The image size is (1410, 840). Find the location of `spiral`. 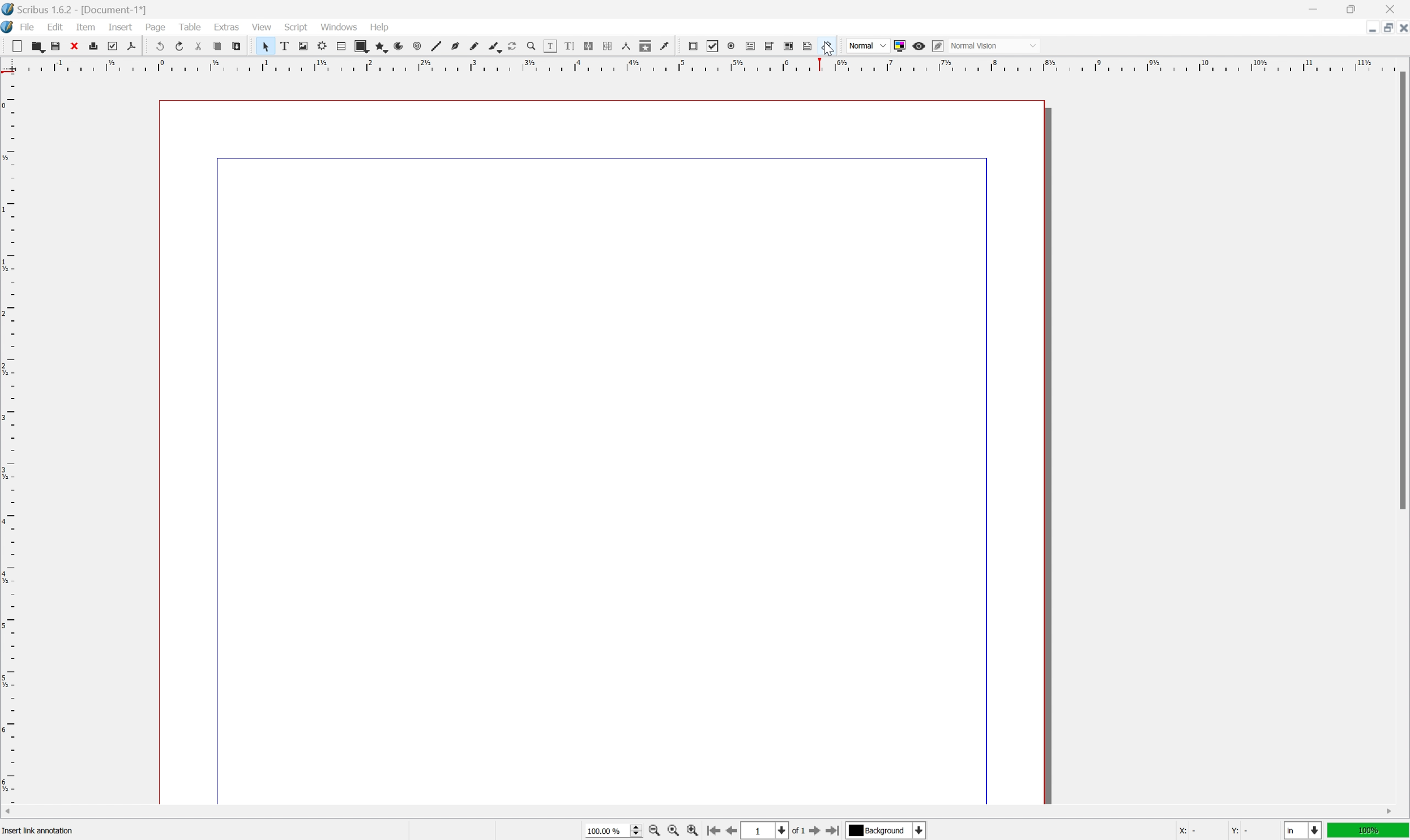

spiral is located at coordinates (418, 46).